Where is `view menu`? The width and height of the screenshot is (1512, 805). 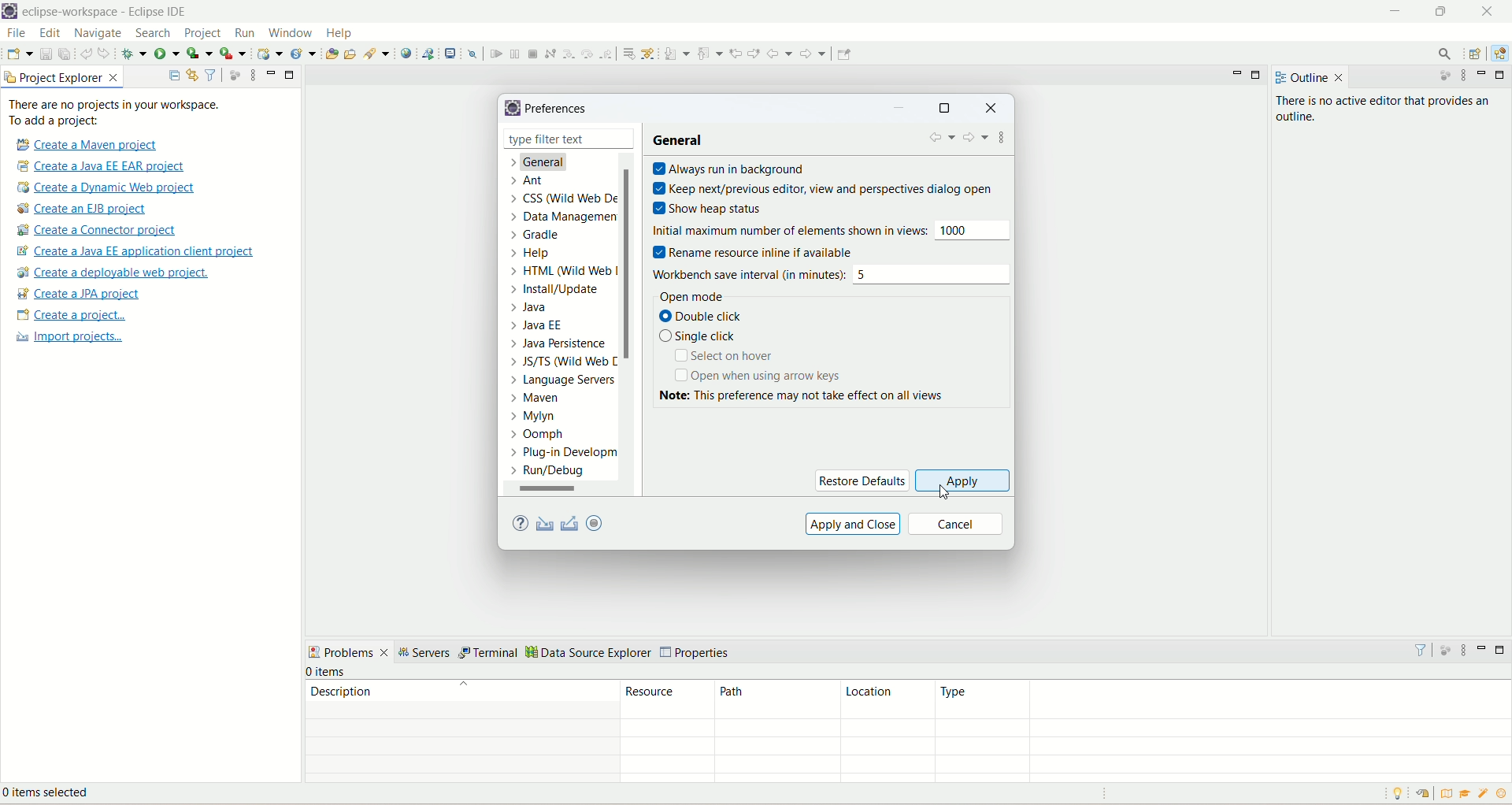 view menu is located at coordinates (1466, 77).